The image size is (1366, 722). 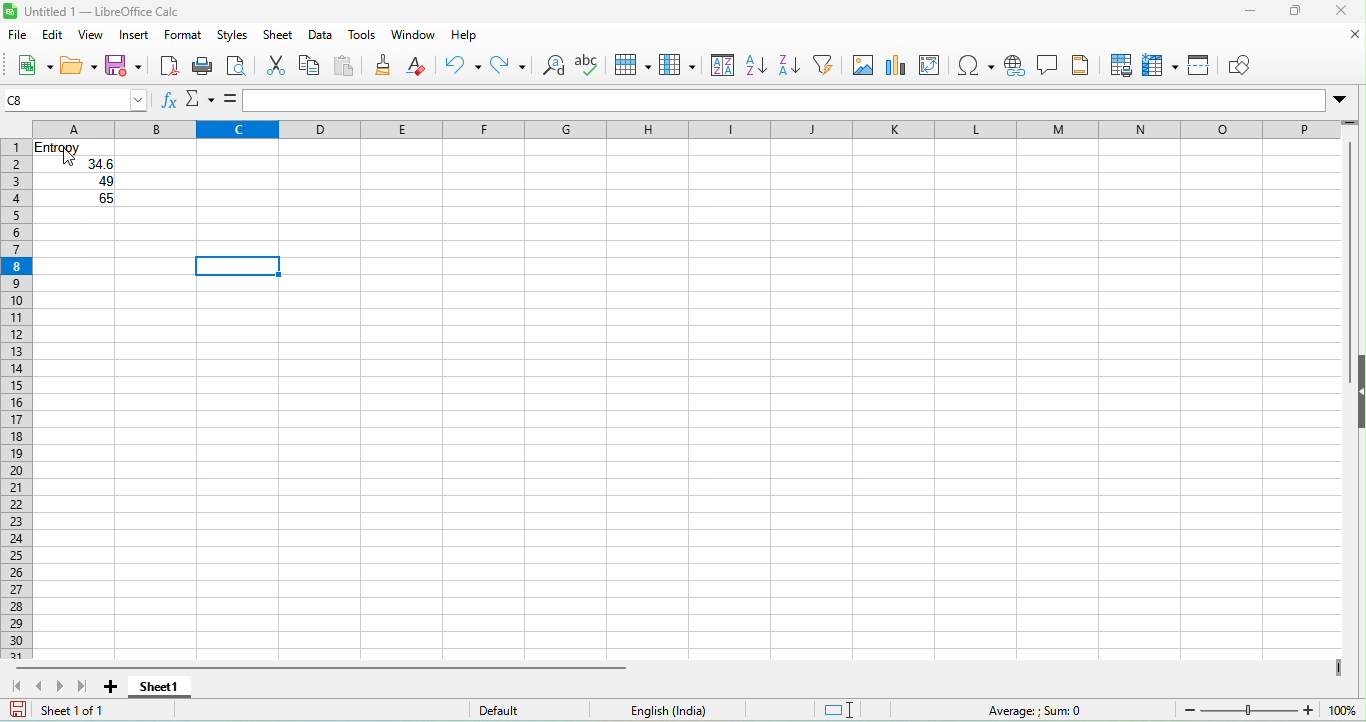 I want to click on spelling, so click(x=589, y=67).